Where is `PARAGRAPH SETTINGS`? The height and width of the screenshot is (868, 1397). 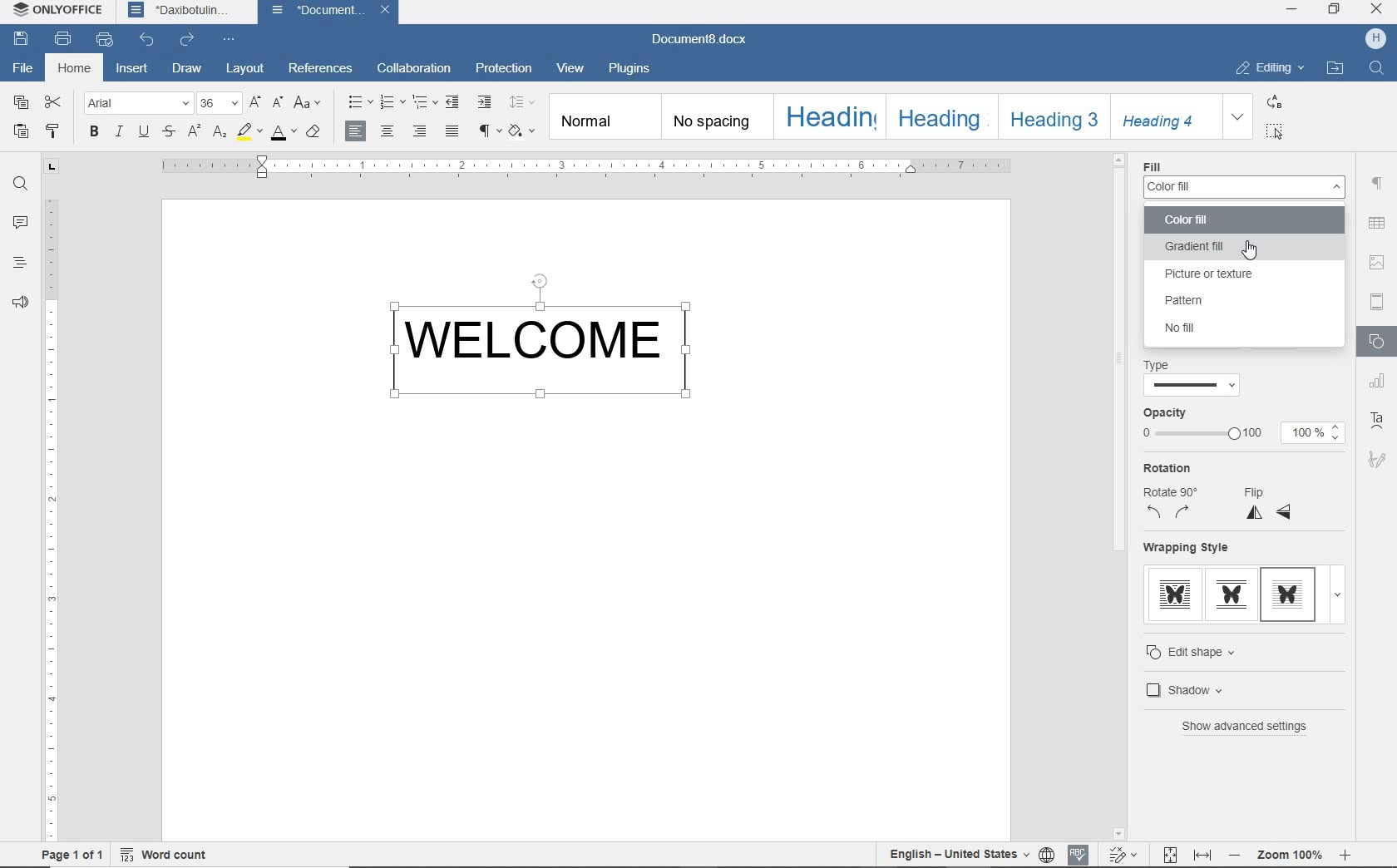
PARAGRAPH SETTINGS is located at coordinates (1377, 185).